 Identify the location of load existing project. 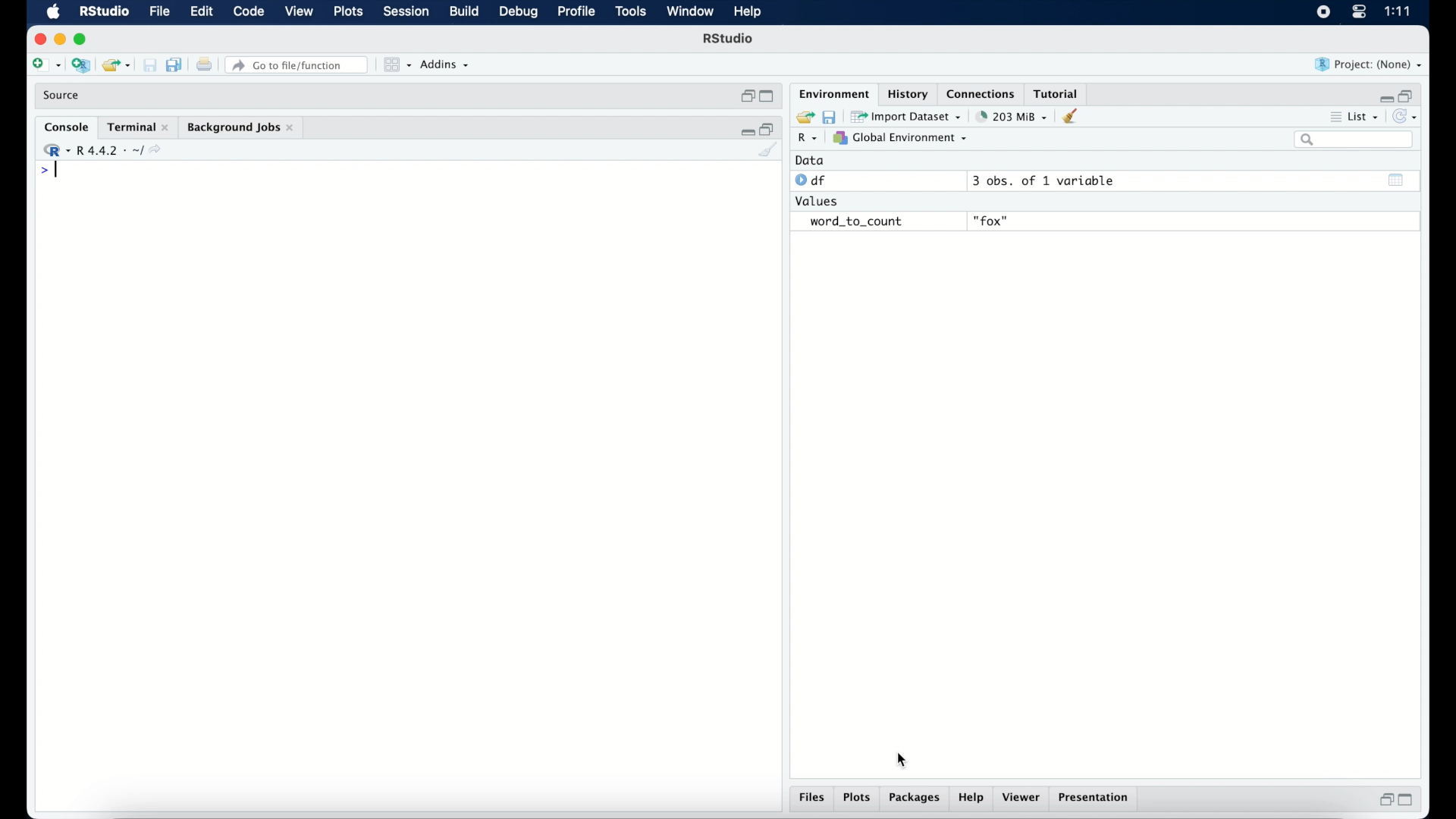
(119, 66).